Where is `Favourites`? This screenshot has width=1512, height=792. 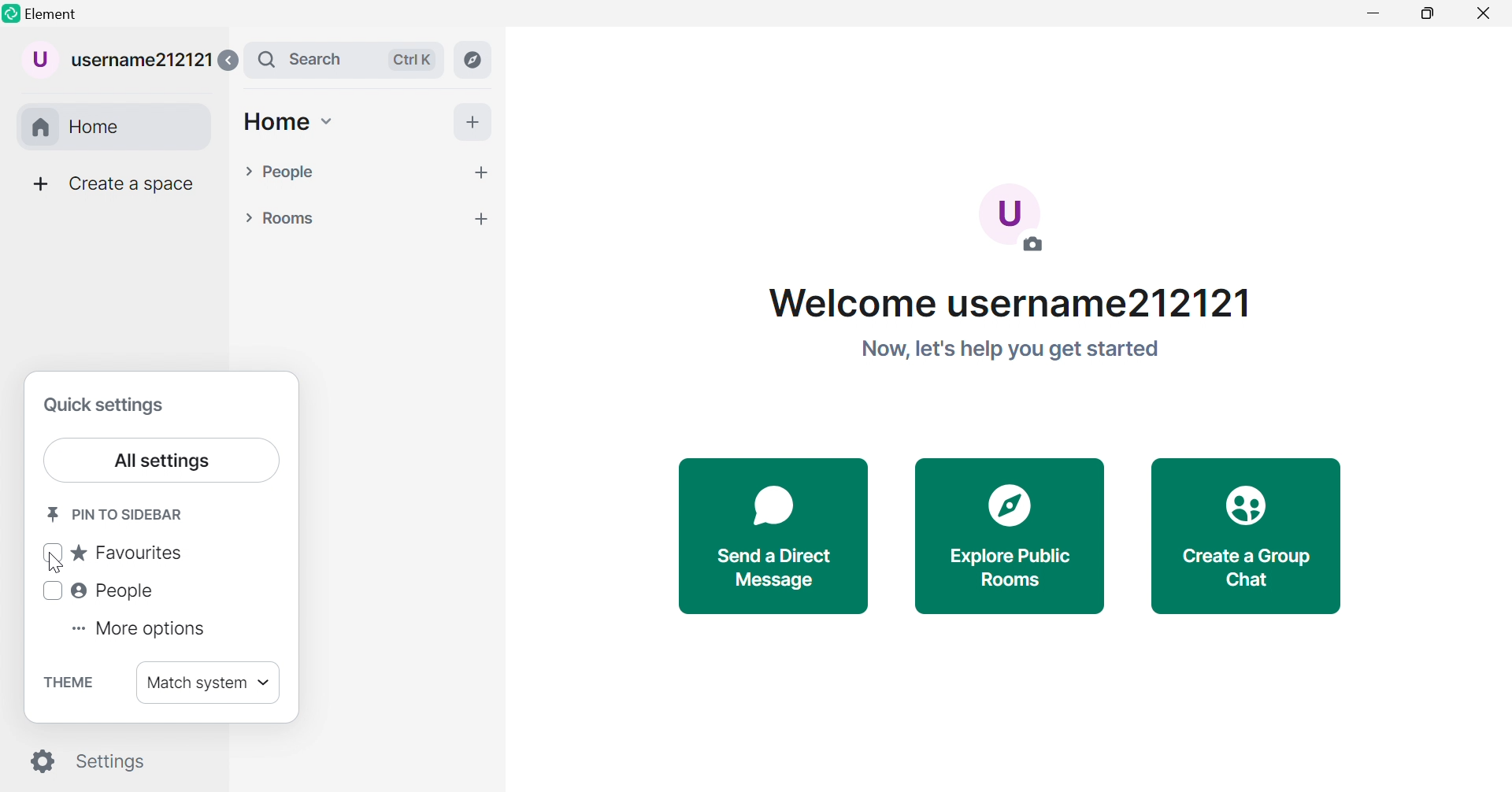
Favourites is located at coordinates (110, 553).